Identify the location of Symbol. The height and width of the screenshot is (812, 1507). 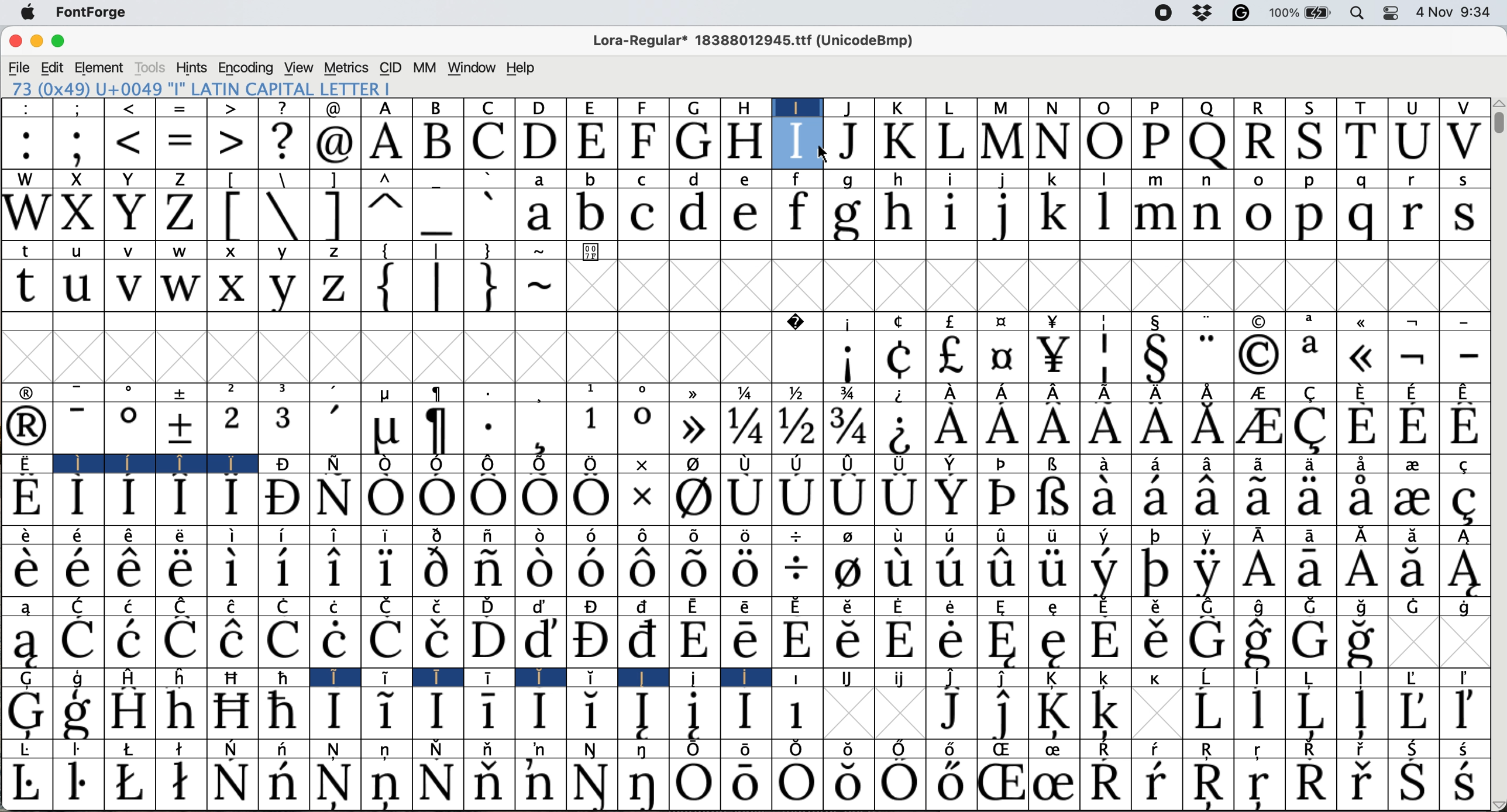
(847, 500).